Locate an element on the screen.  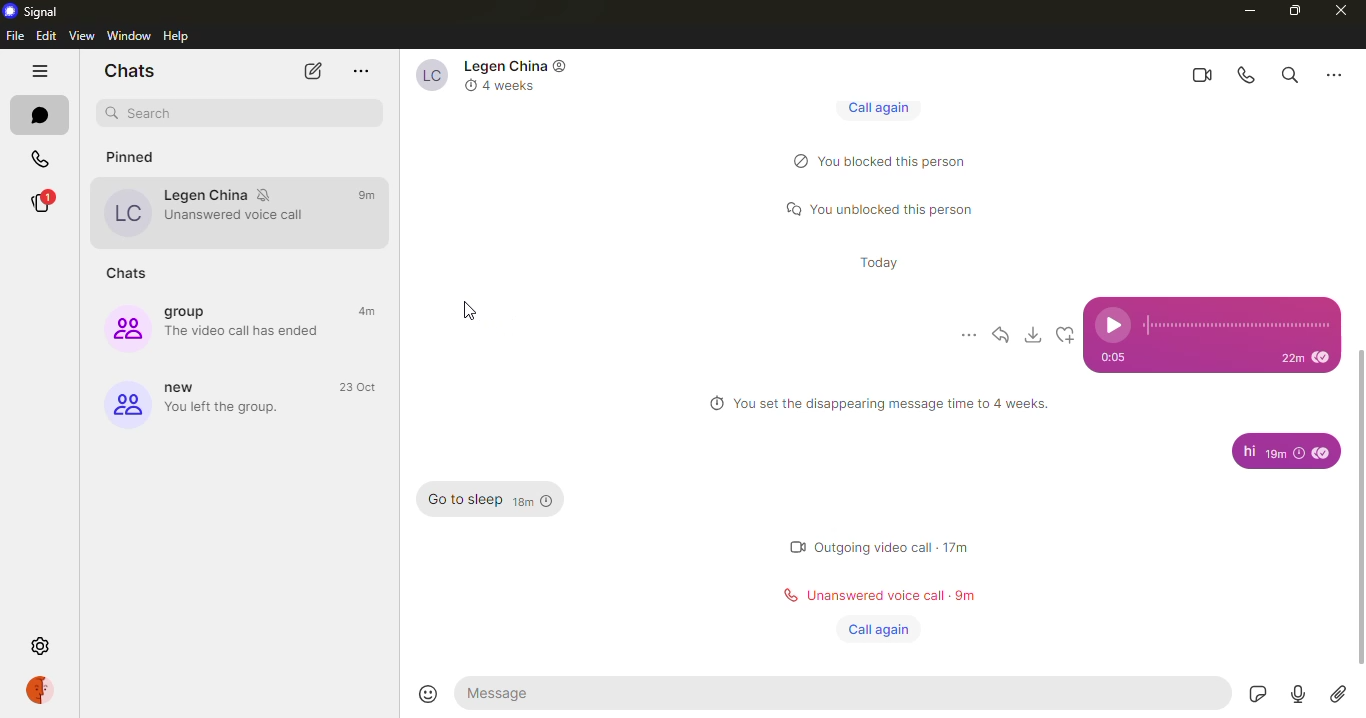
contact is located at coordinates (490, 75).